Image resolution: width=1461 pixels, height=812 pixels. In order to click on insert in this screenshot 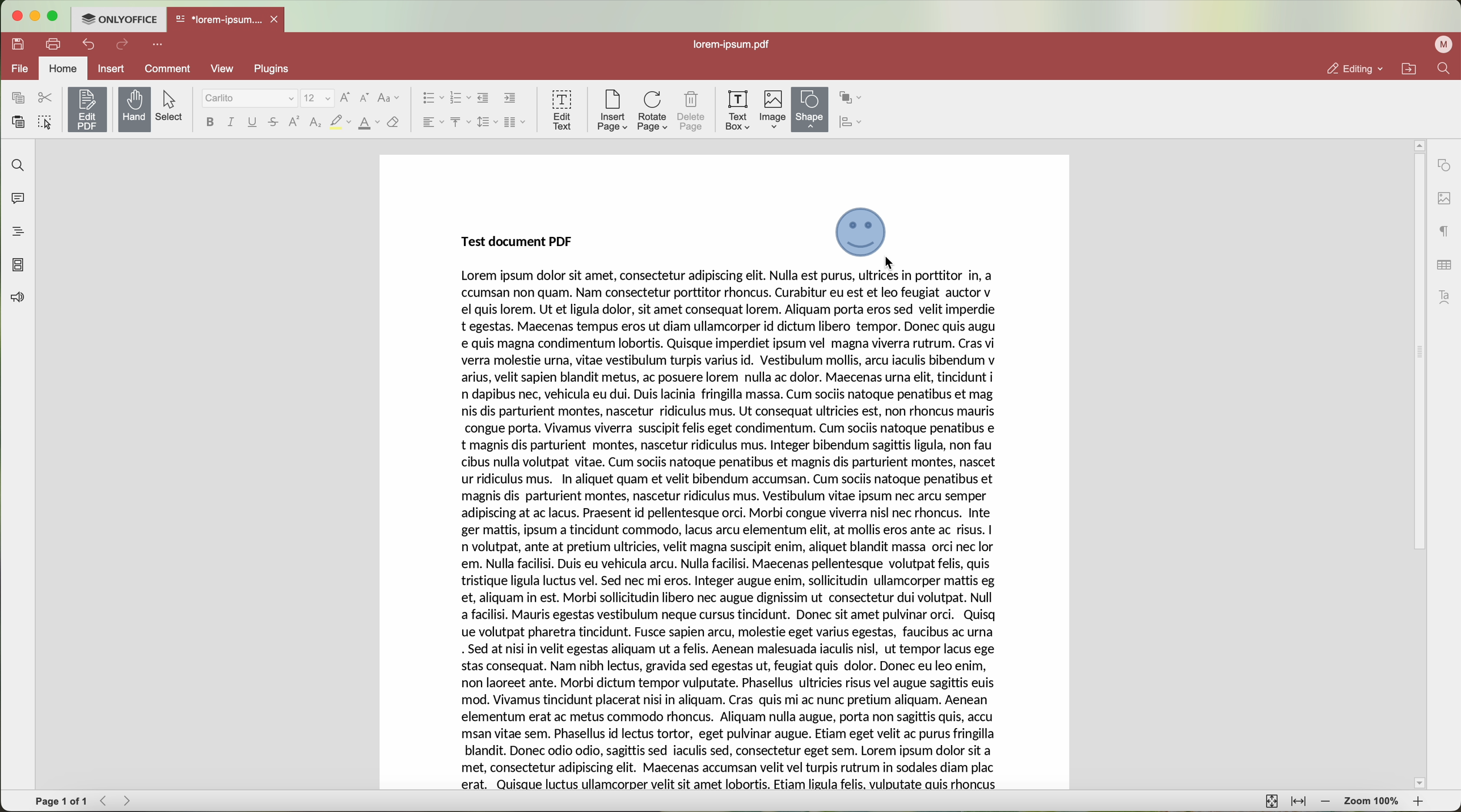, I will do `click(112, 68)`.